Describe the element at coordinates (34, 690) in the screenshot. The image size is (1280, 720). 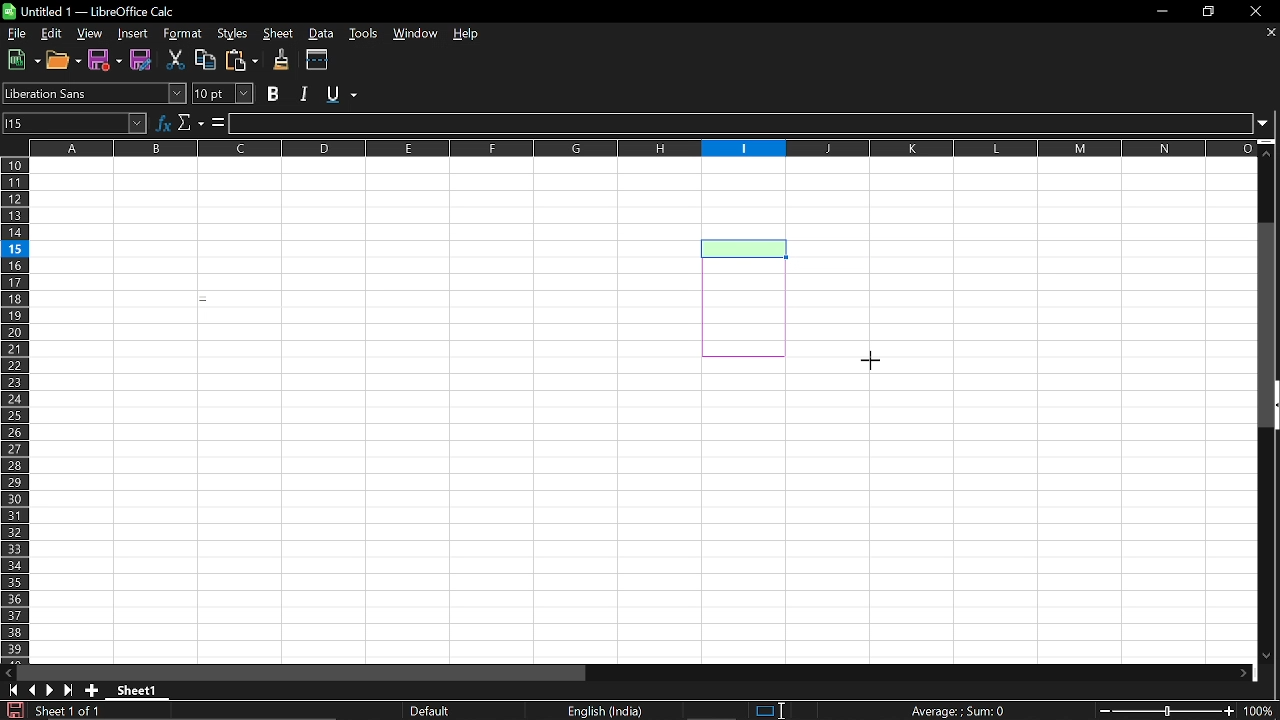
I see `Previous page` at that location.